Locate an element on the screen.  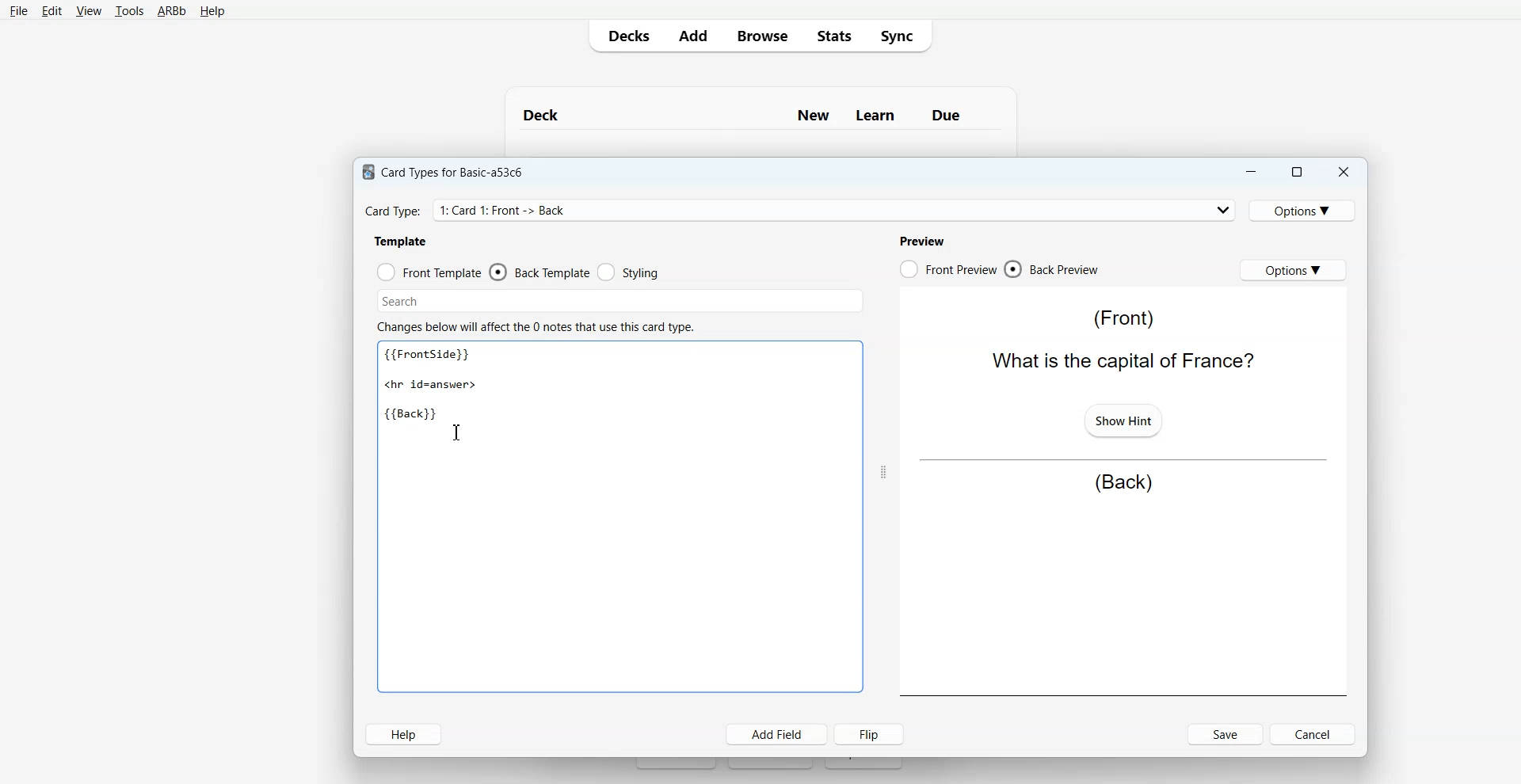
Save is located at coordinates (1226, 734).